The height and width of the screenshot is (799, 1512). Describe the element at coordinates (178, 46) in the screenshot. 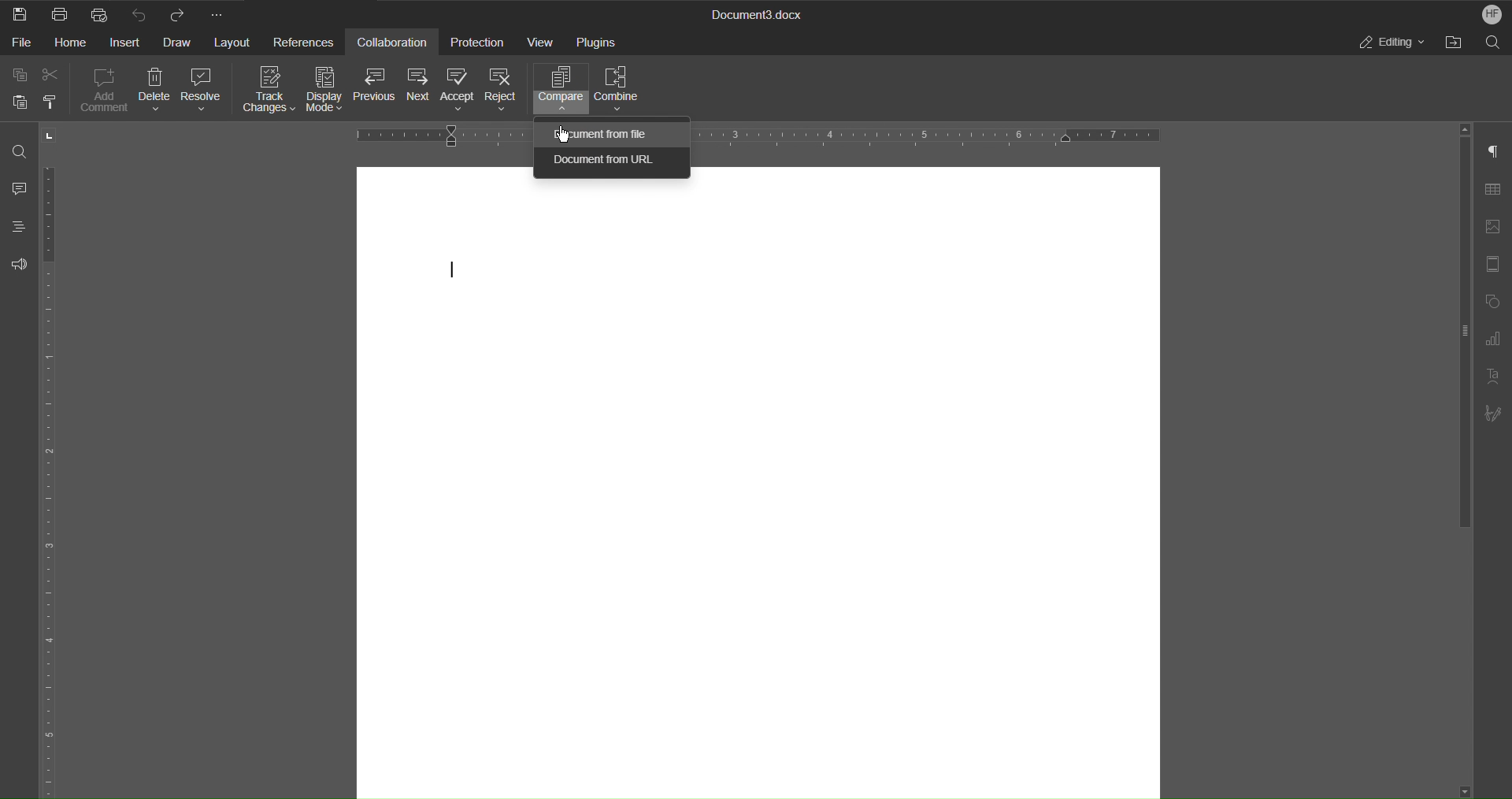

I see `Draw` at that location.